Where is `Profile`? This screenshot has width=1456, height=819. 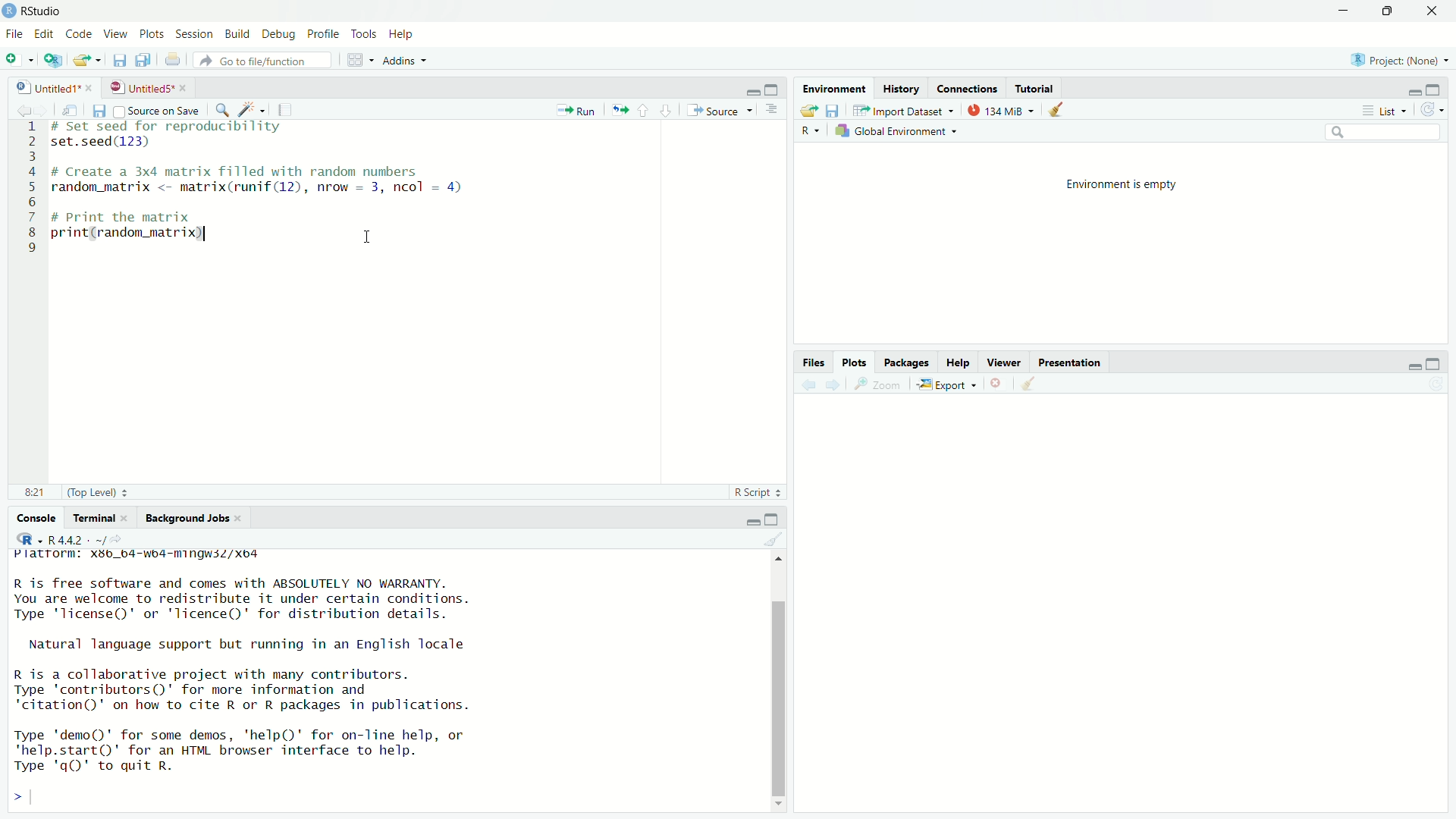 Profile is located at coordinates (322, 32).